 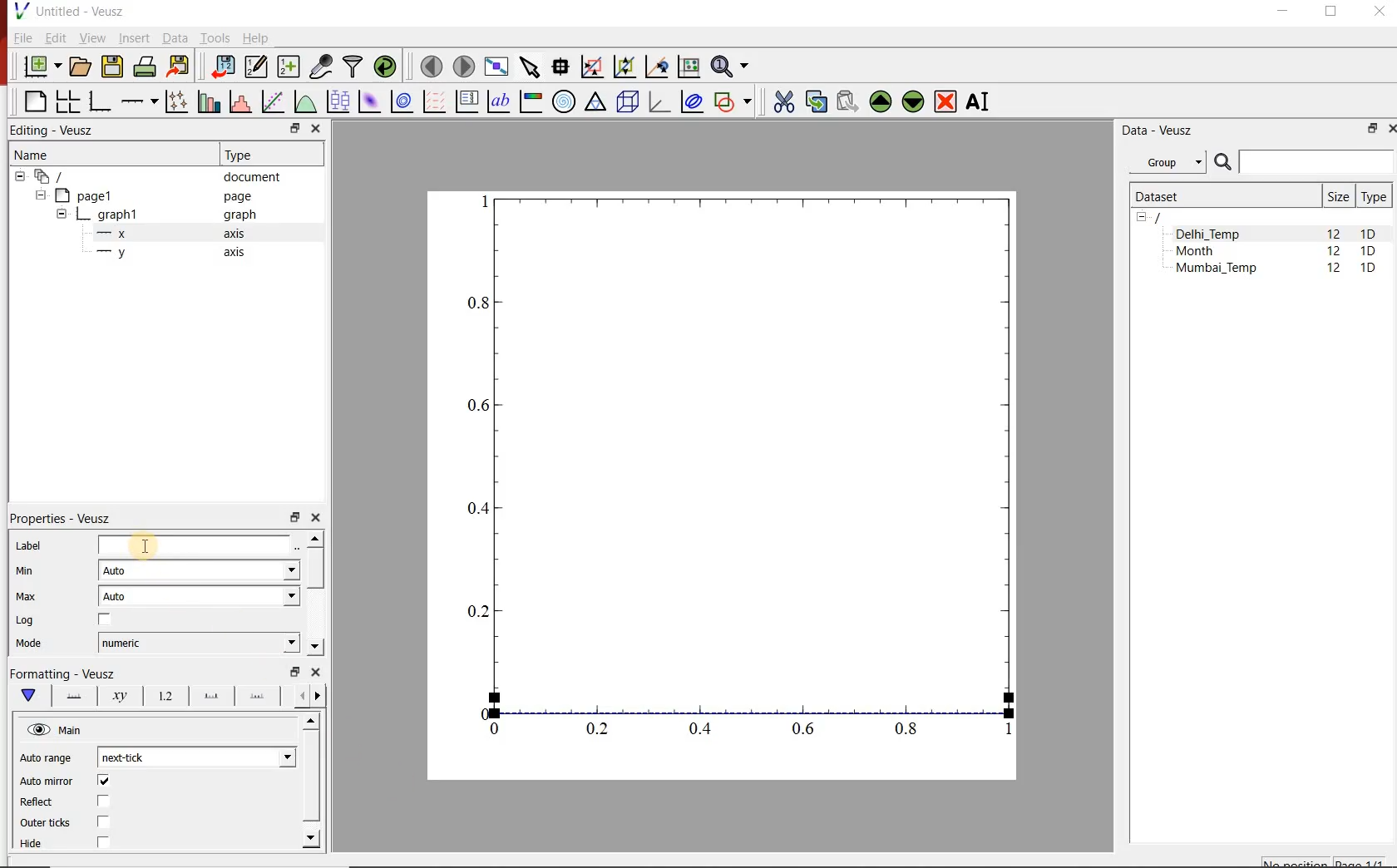 What do you see at coordinates (1221, 196) in the screenshot?
I see `Dataset` at bounding box center [1221, 196].